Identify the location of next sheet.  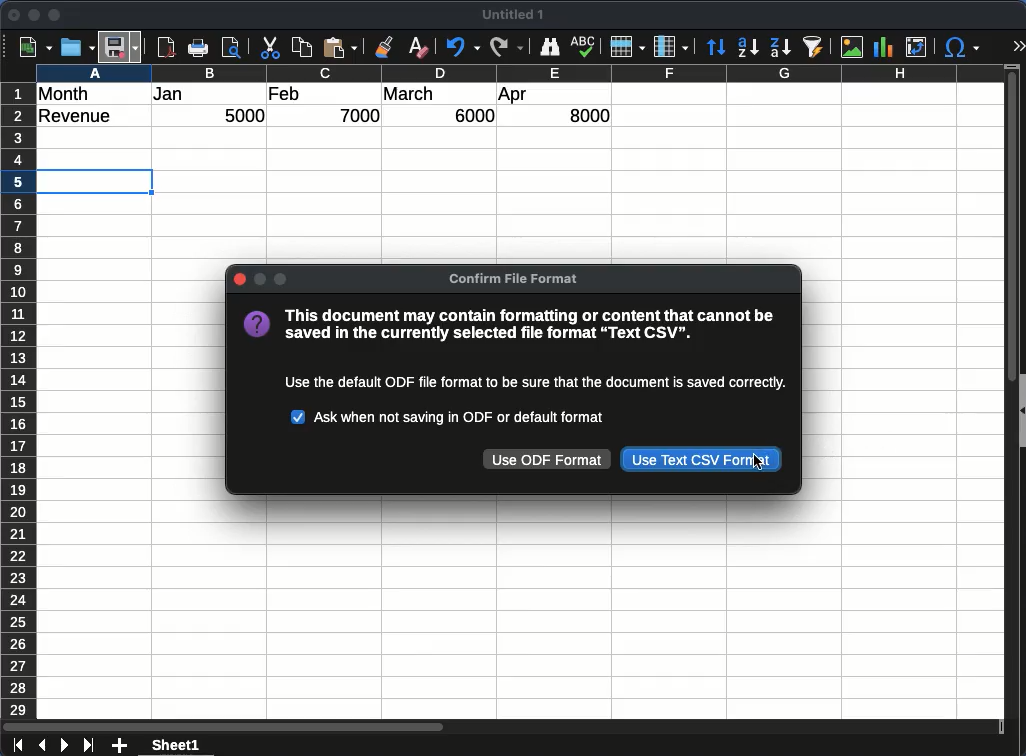
(63, 746).